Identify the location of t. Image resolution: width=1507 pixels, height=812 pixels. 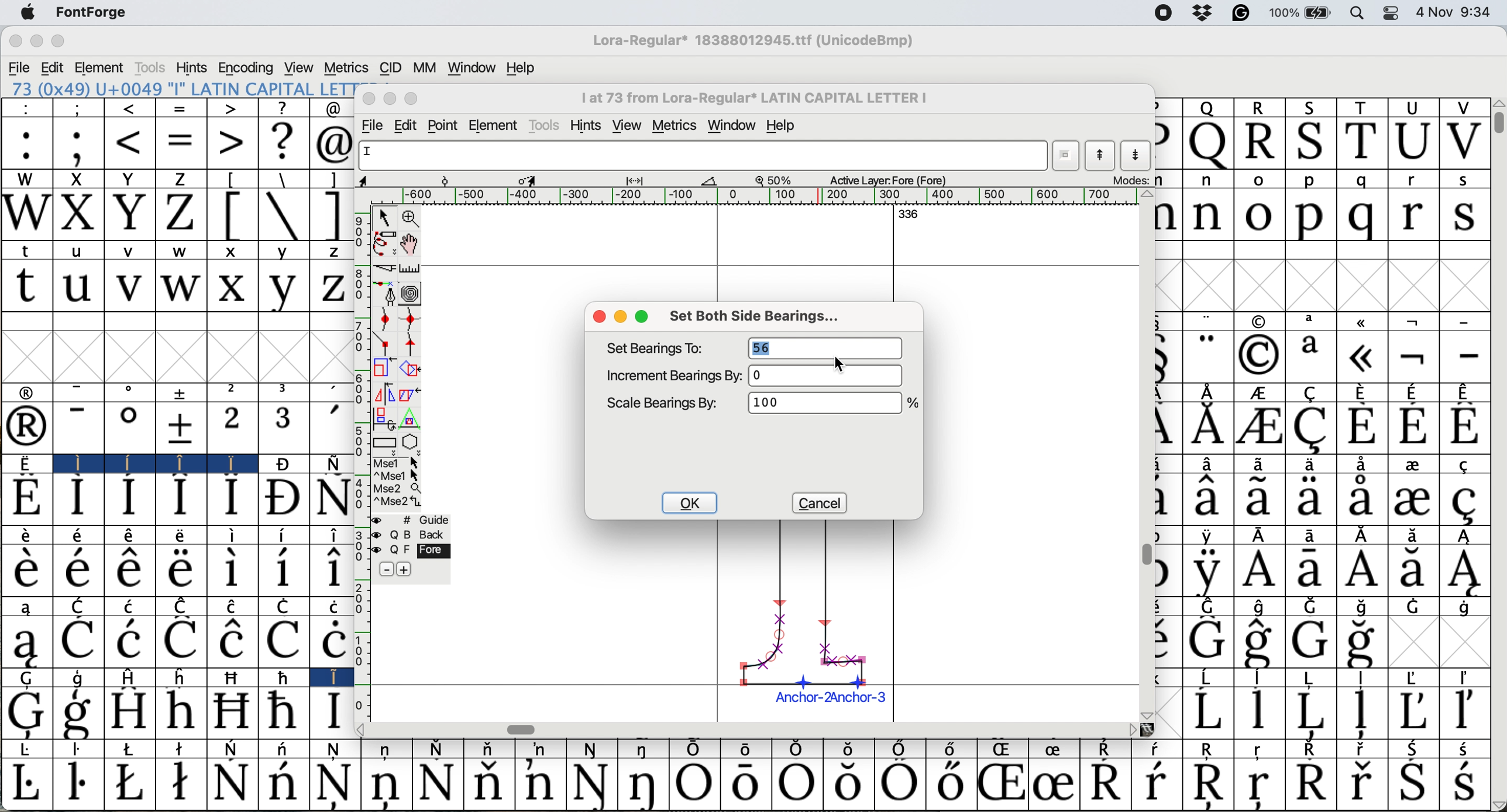
(29, 249).